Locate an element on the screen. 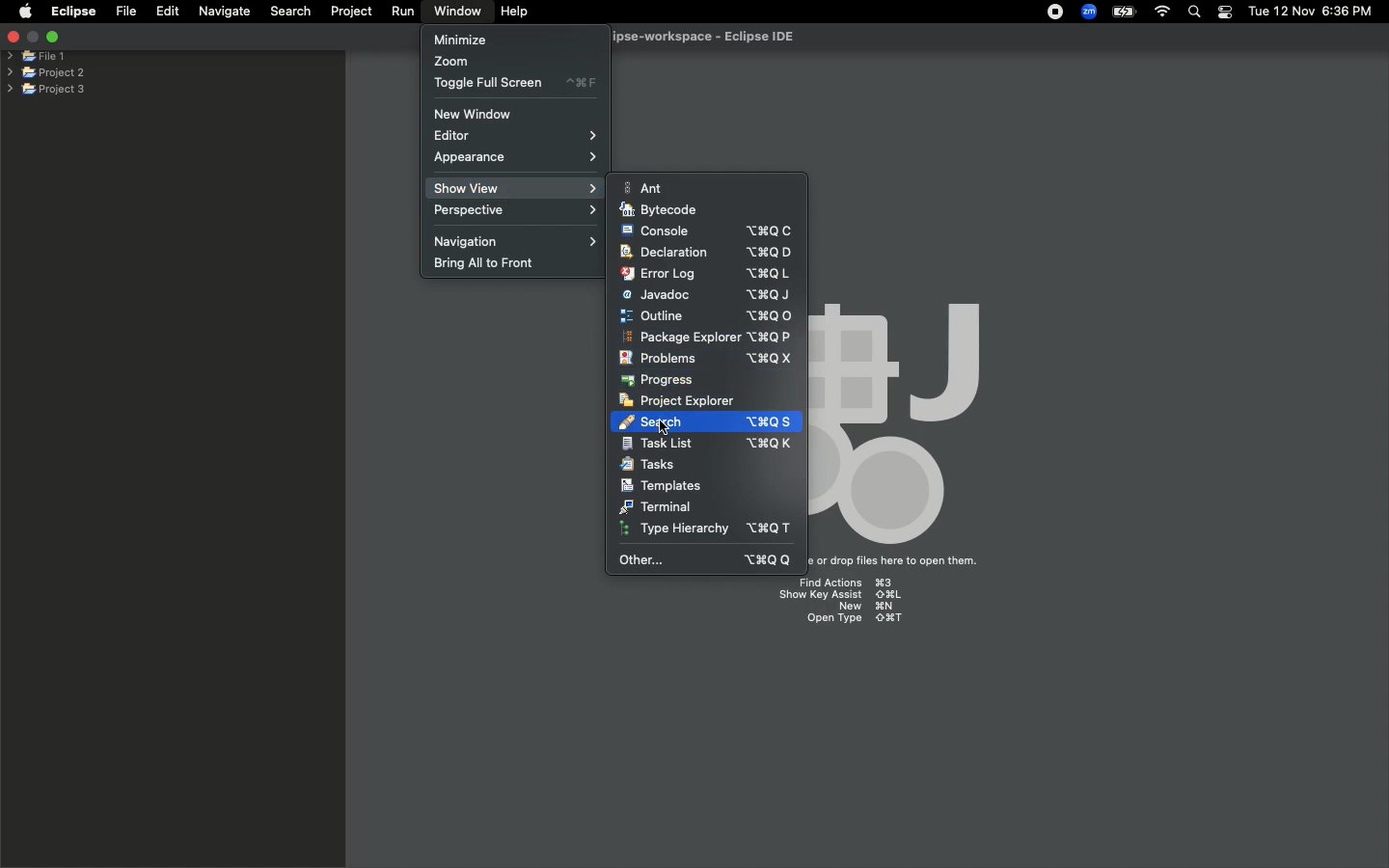 The height and width of the screenshot is (868, 1389). Zoom is located at coordinates (452, 63).